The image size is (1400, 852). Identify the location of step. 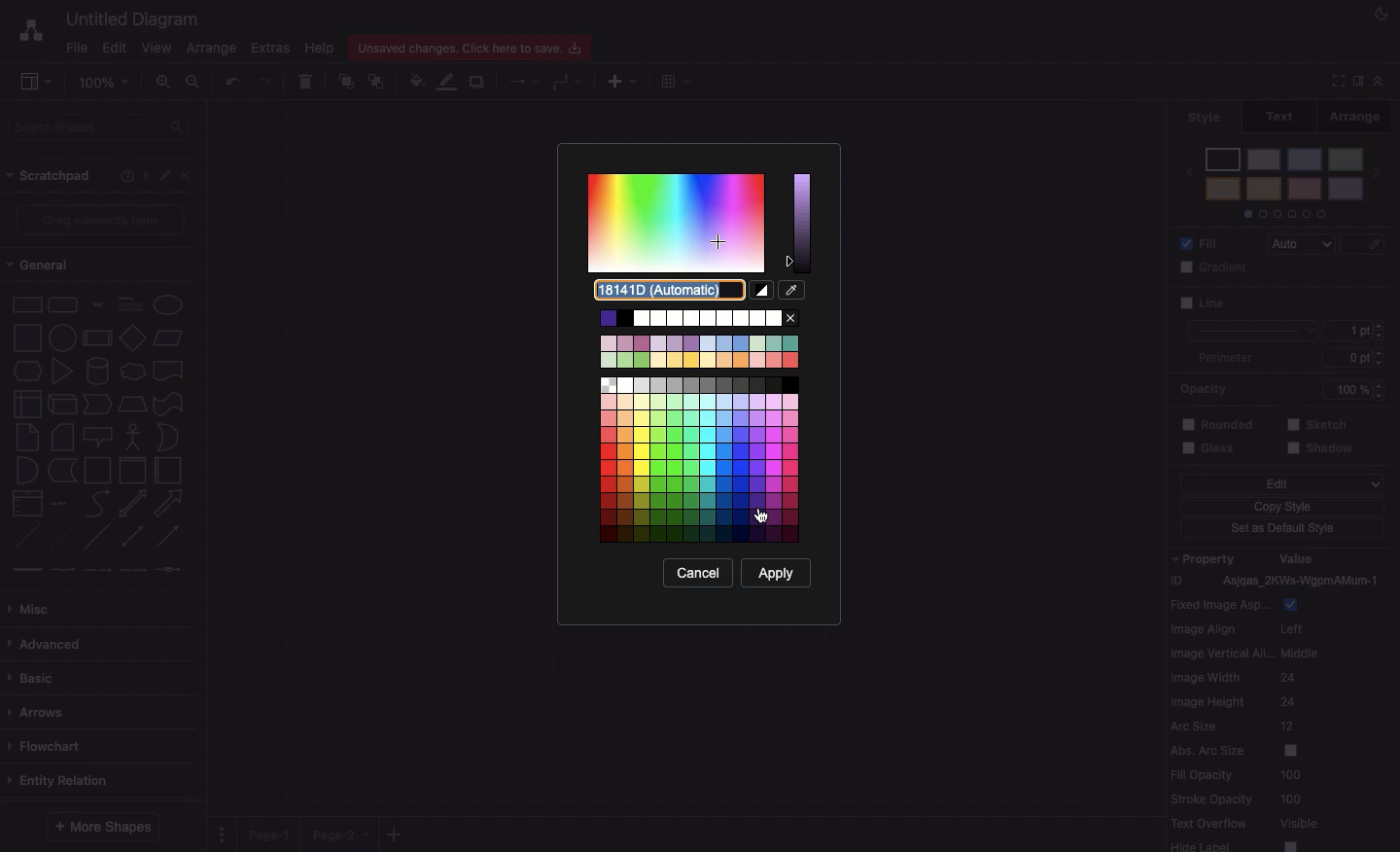
(95, 403).